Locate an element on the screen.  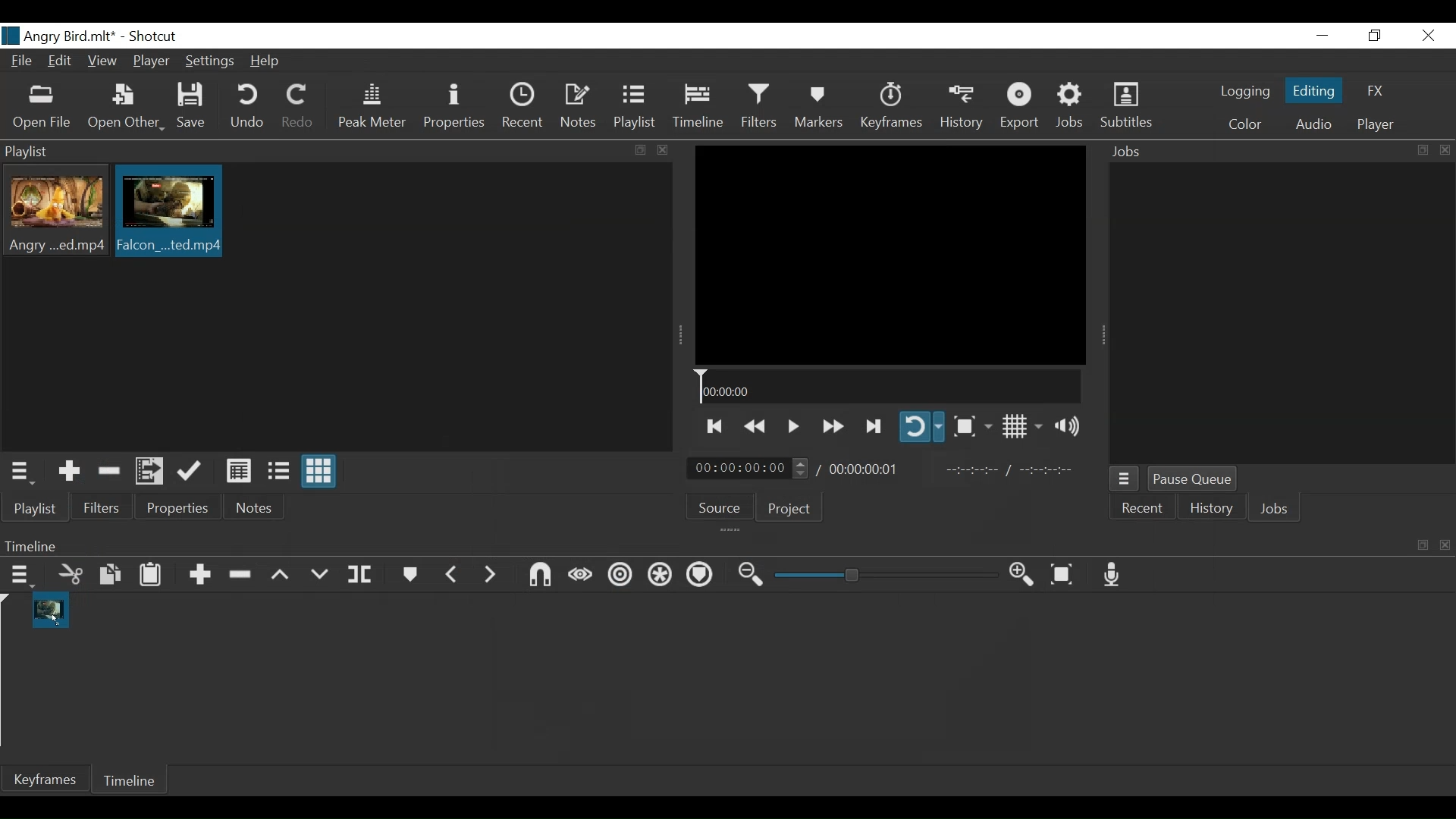
minimize is located at coordinates (1322, 36).